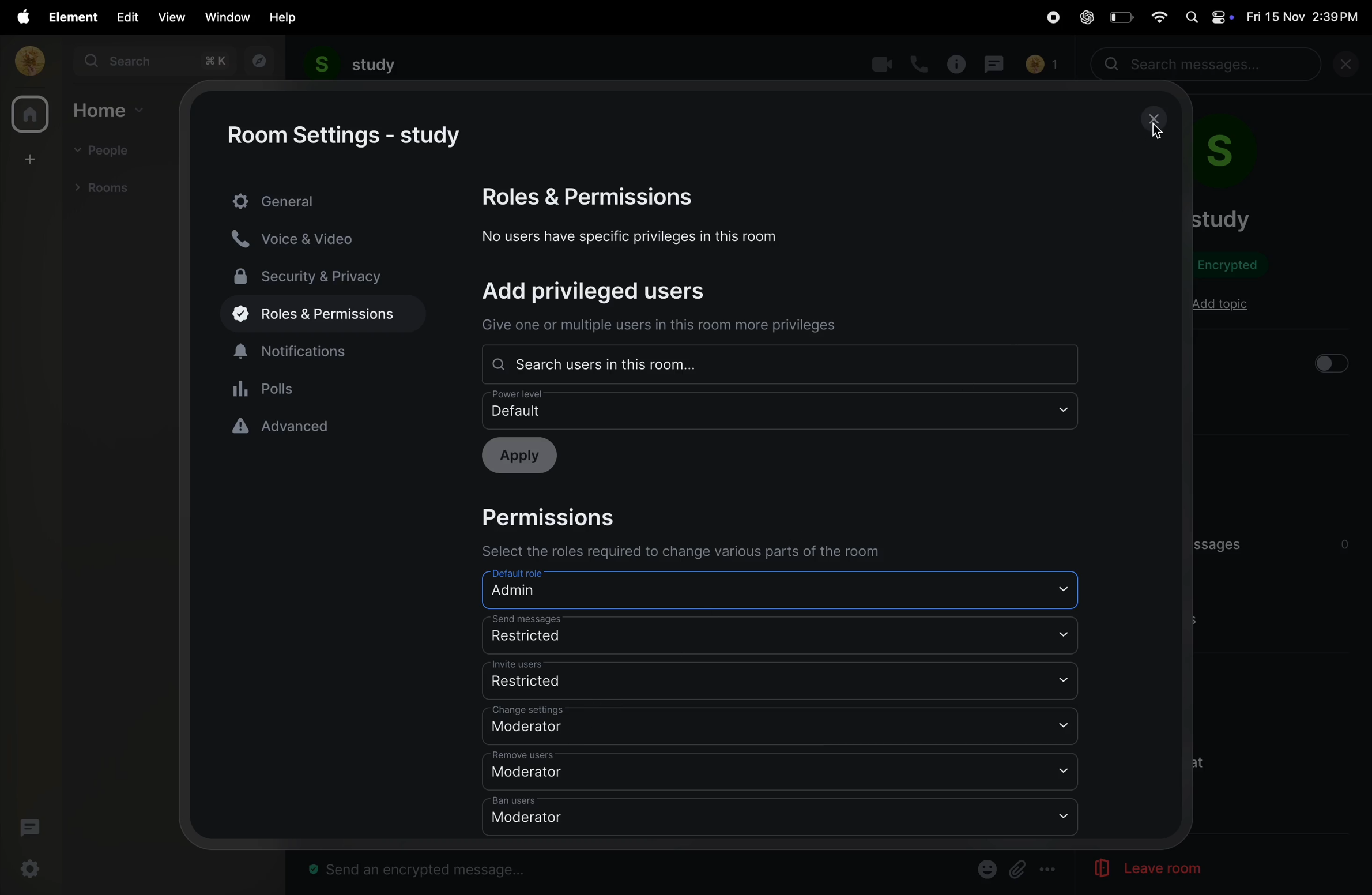 Image resolution: width=1372 pixels, height=895 pixels. I want to click on profile, so click(26, 60).